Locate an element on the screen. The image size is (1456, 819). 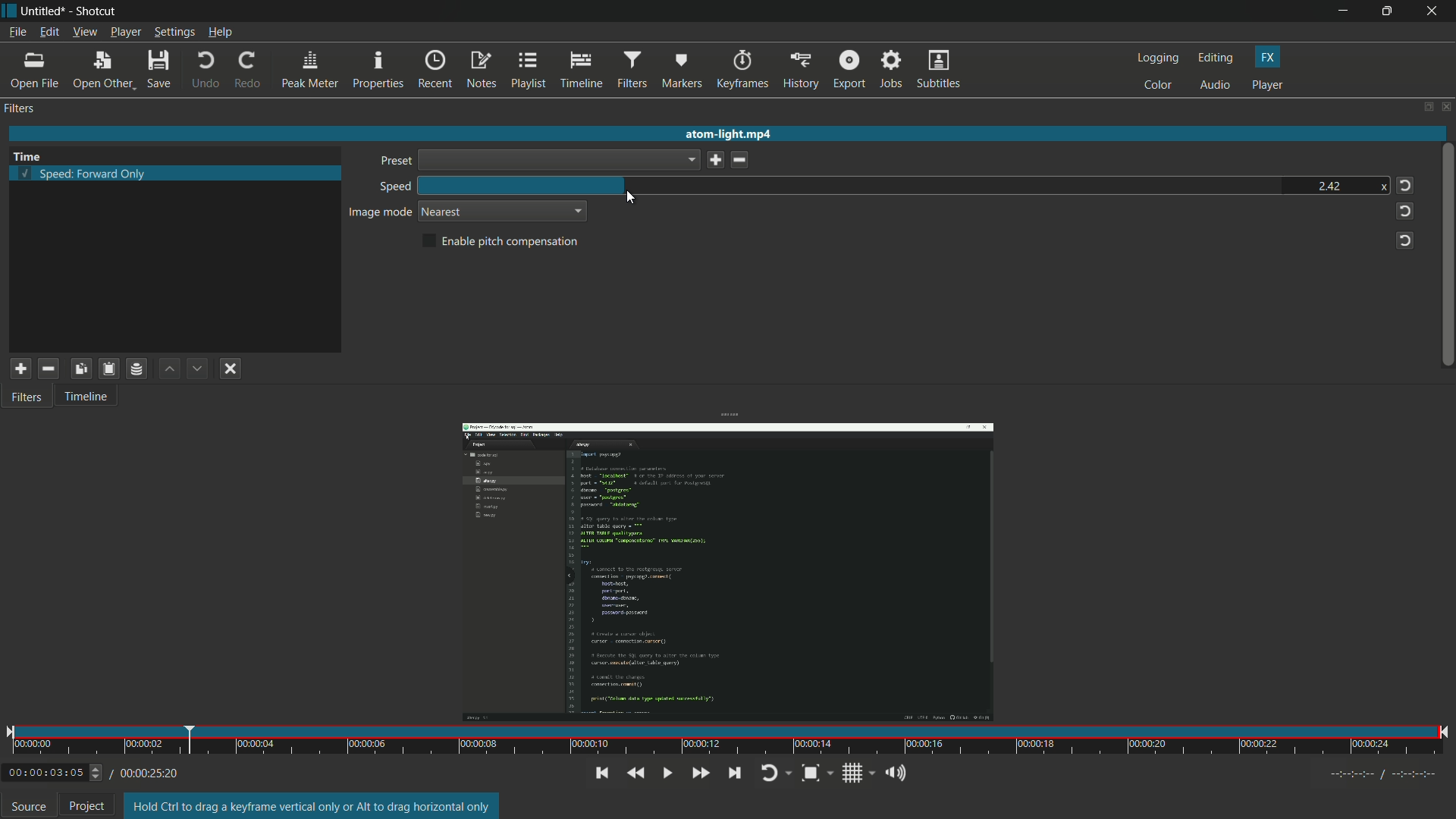
maximize is located at coordinates (1389, 11).